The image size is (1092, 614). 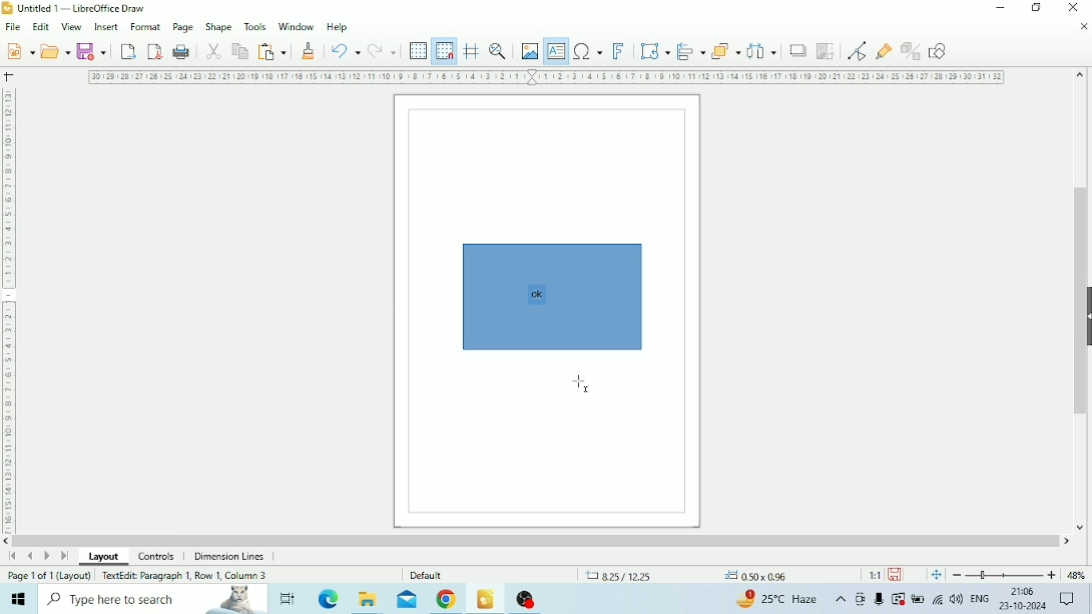 What do you see at coordinates (128, 52) in the screenshot?
I see `Export` at bounding box center [128, 52].